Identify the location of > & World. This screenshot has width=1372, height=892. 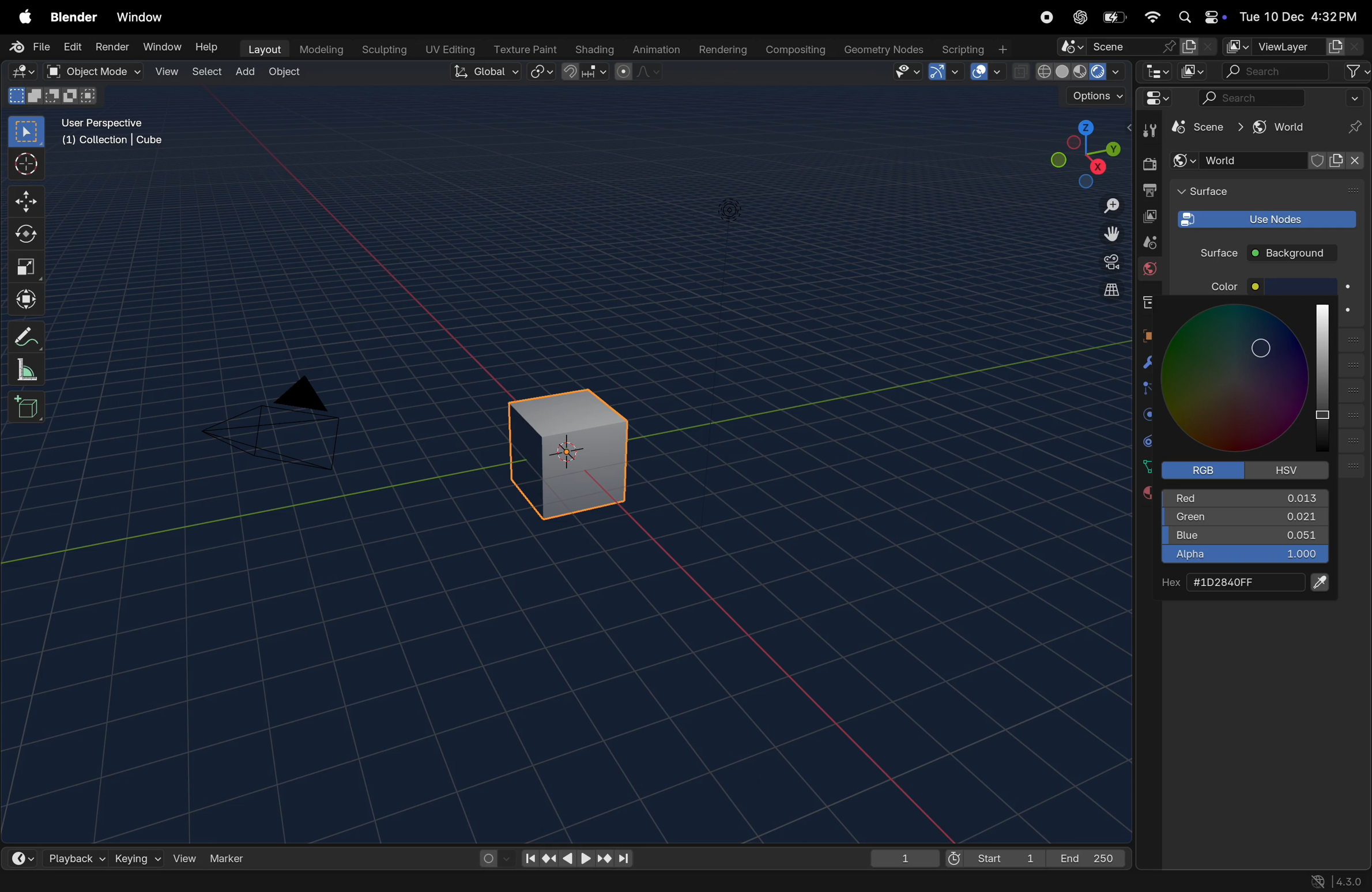
(1276, 128).